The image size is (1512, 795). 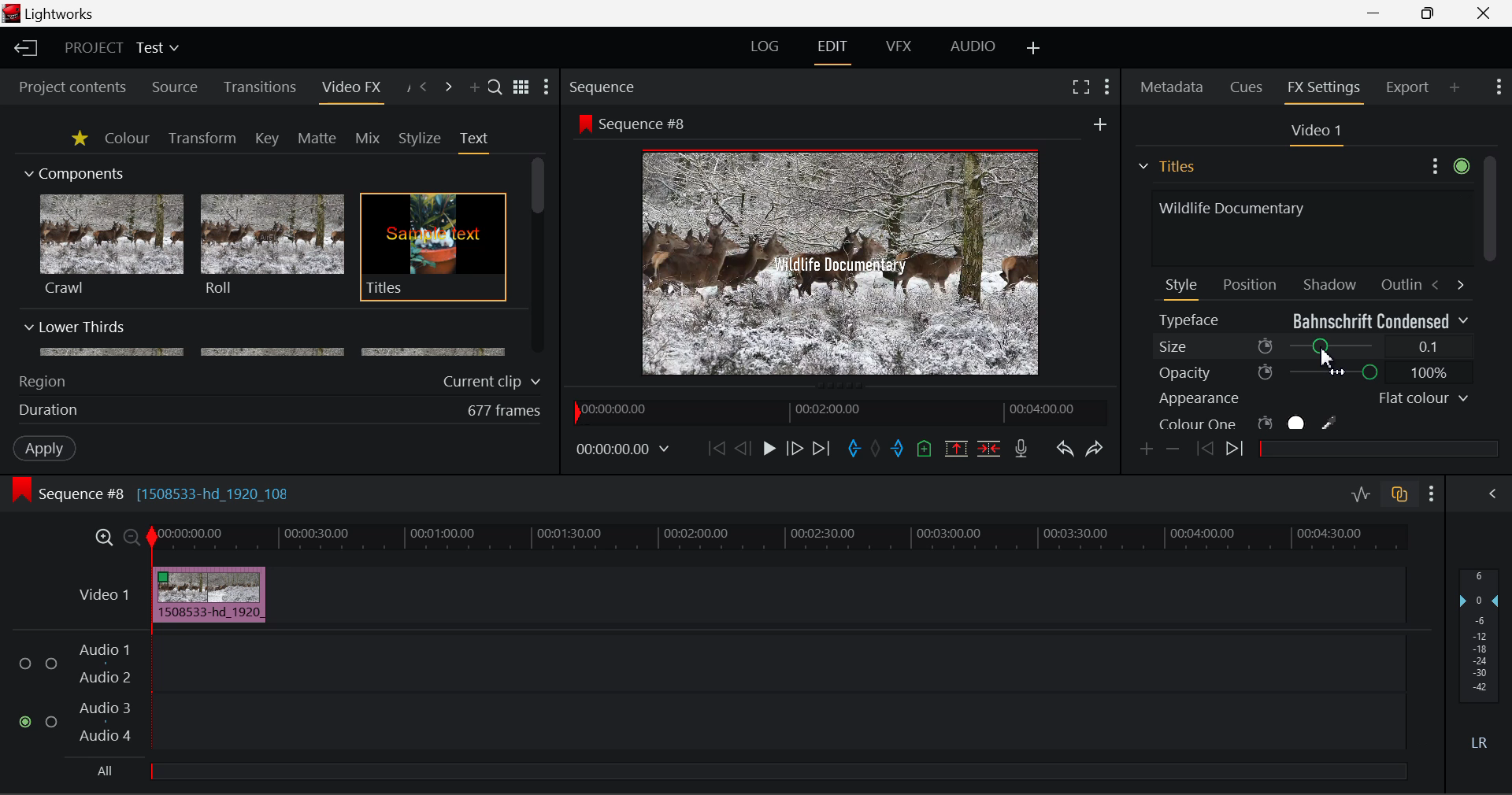 What do you see at coordinates (28, 664) in the screenshot?
I see `checkbox` at bounding box center [28, 664].